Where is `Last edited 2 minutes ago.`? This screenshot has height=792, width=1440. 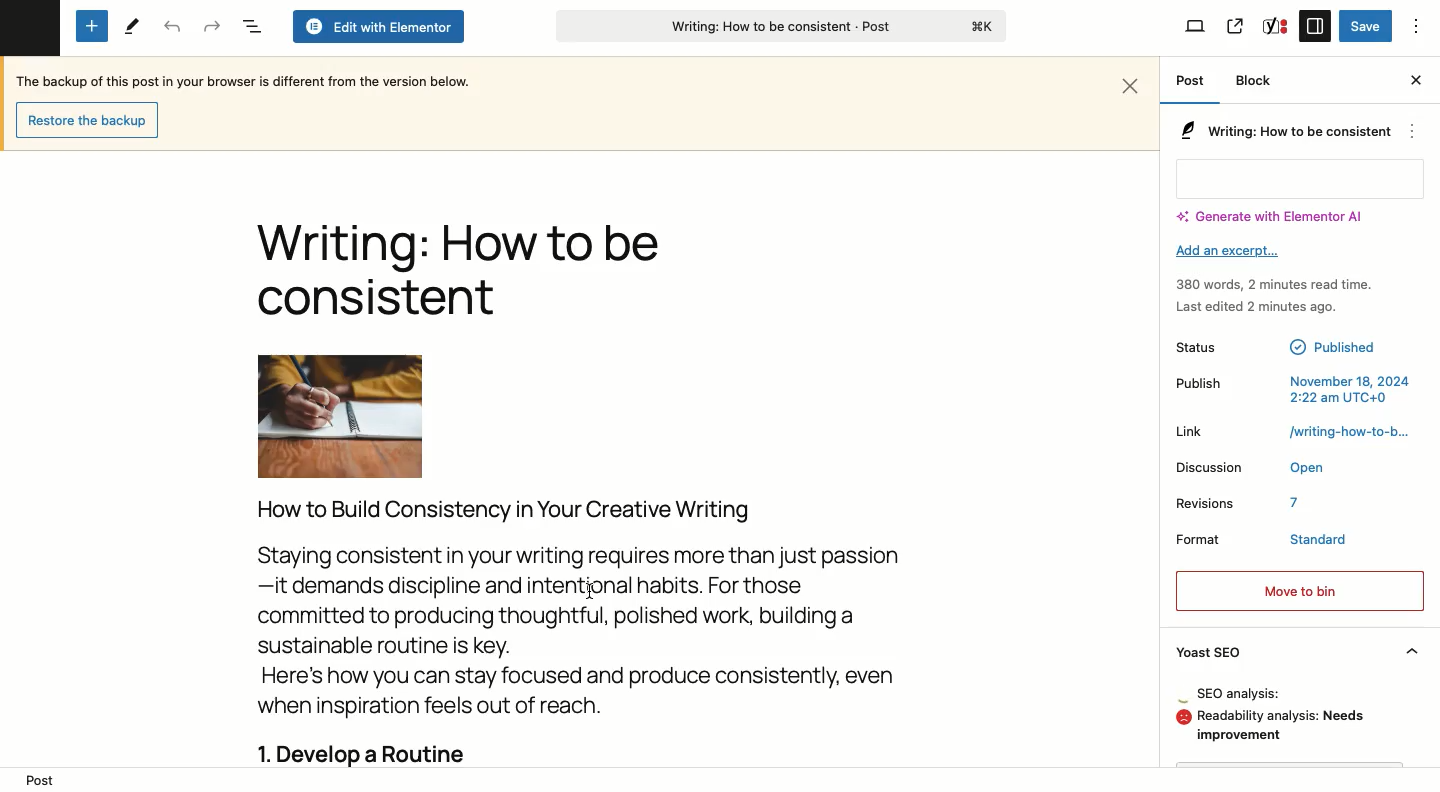 Last edited 2 minutes ago. is located at coordinates (1258, 311).